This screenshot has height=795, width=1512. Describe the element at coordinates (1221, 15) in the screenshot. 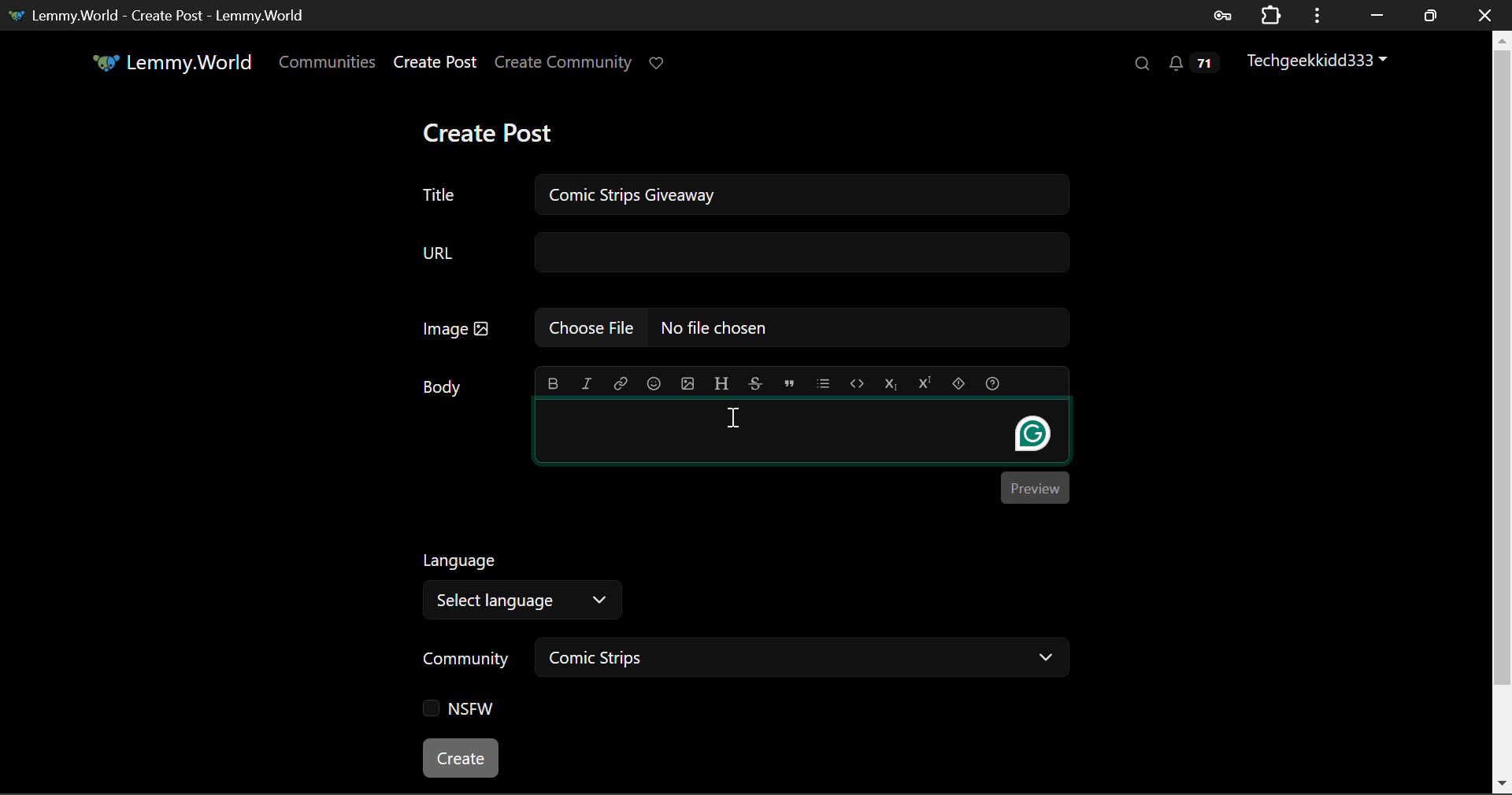

I see `Saved Password Data` at that location.